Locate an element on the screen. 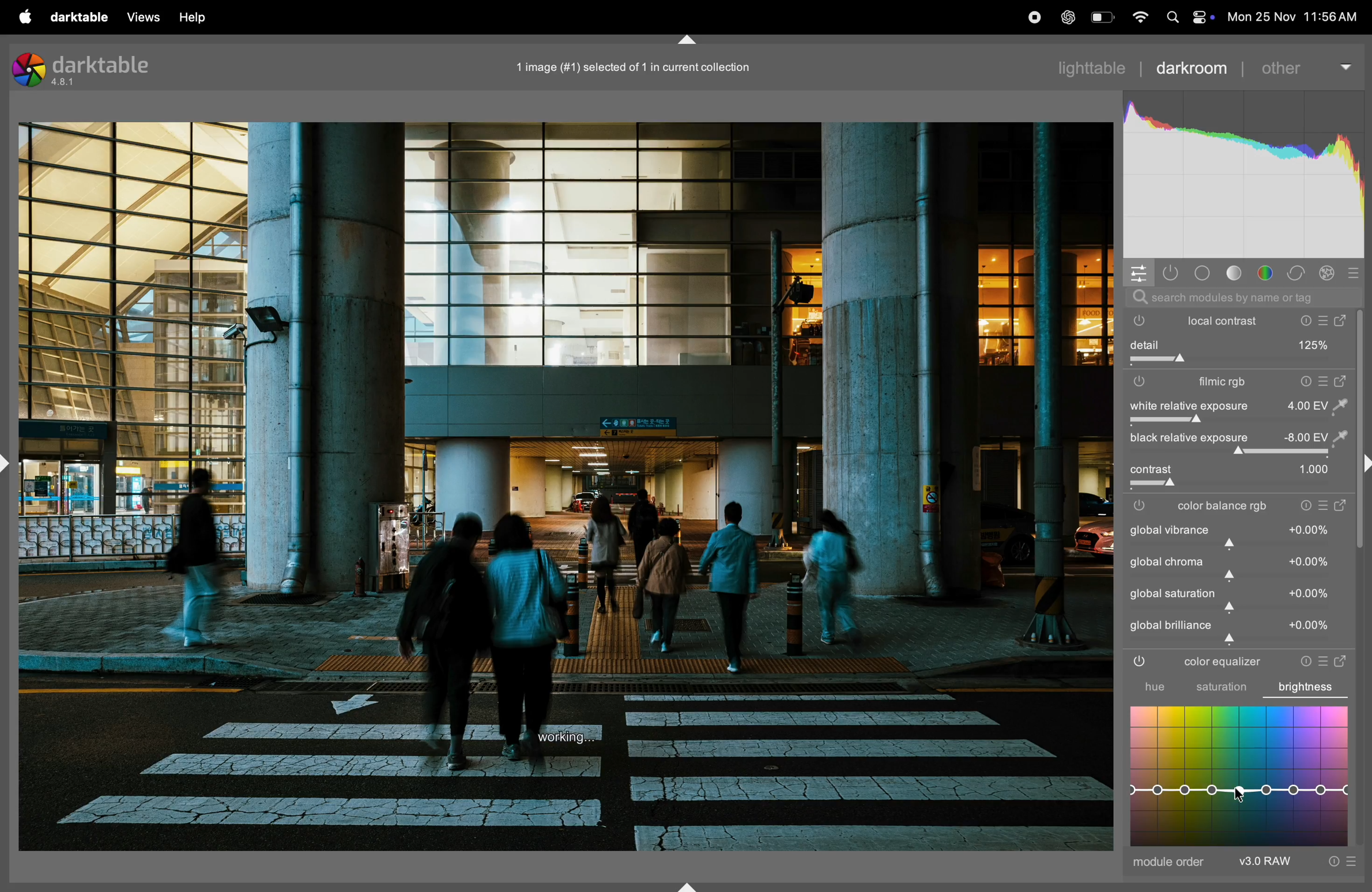 This screenshot has width=1372, height=892. slider is located at coordinates (1243, 485).